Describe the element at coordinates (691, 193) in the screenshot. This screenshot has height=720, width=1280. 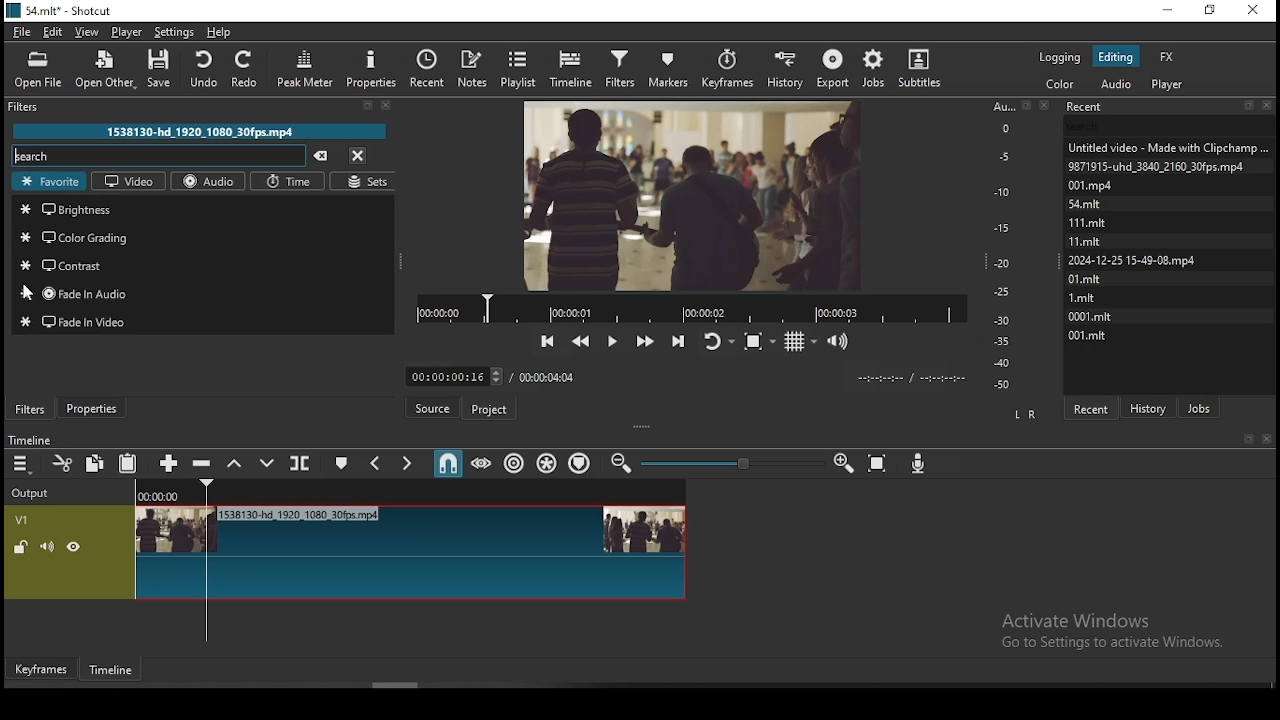
I see `video preview` at that location.